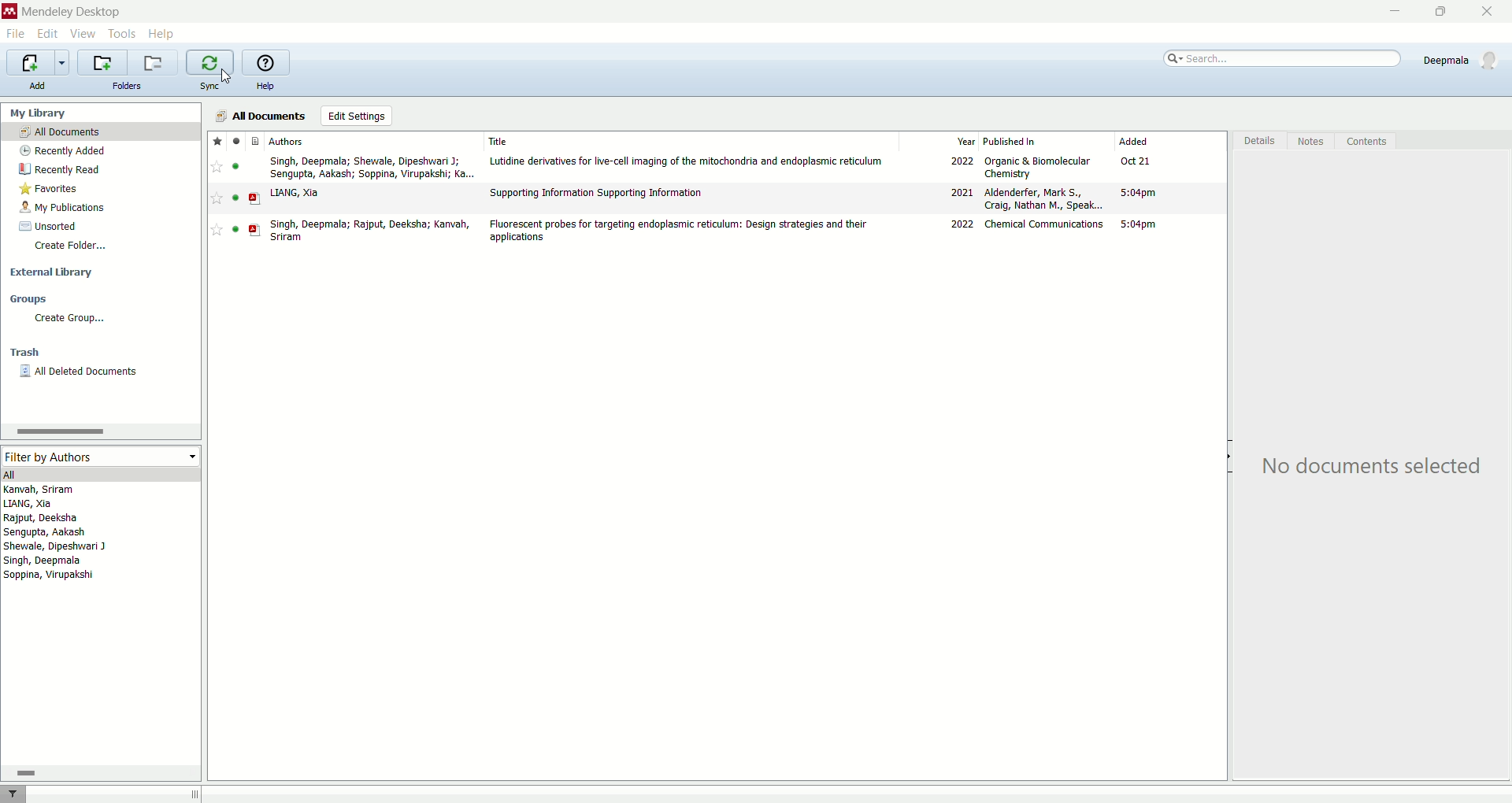  What do you see at coordinates (1169, 142) in the screenshot?
I see `added` at bounding box center [1169, 142].